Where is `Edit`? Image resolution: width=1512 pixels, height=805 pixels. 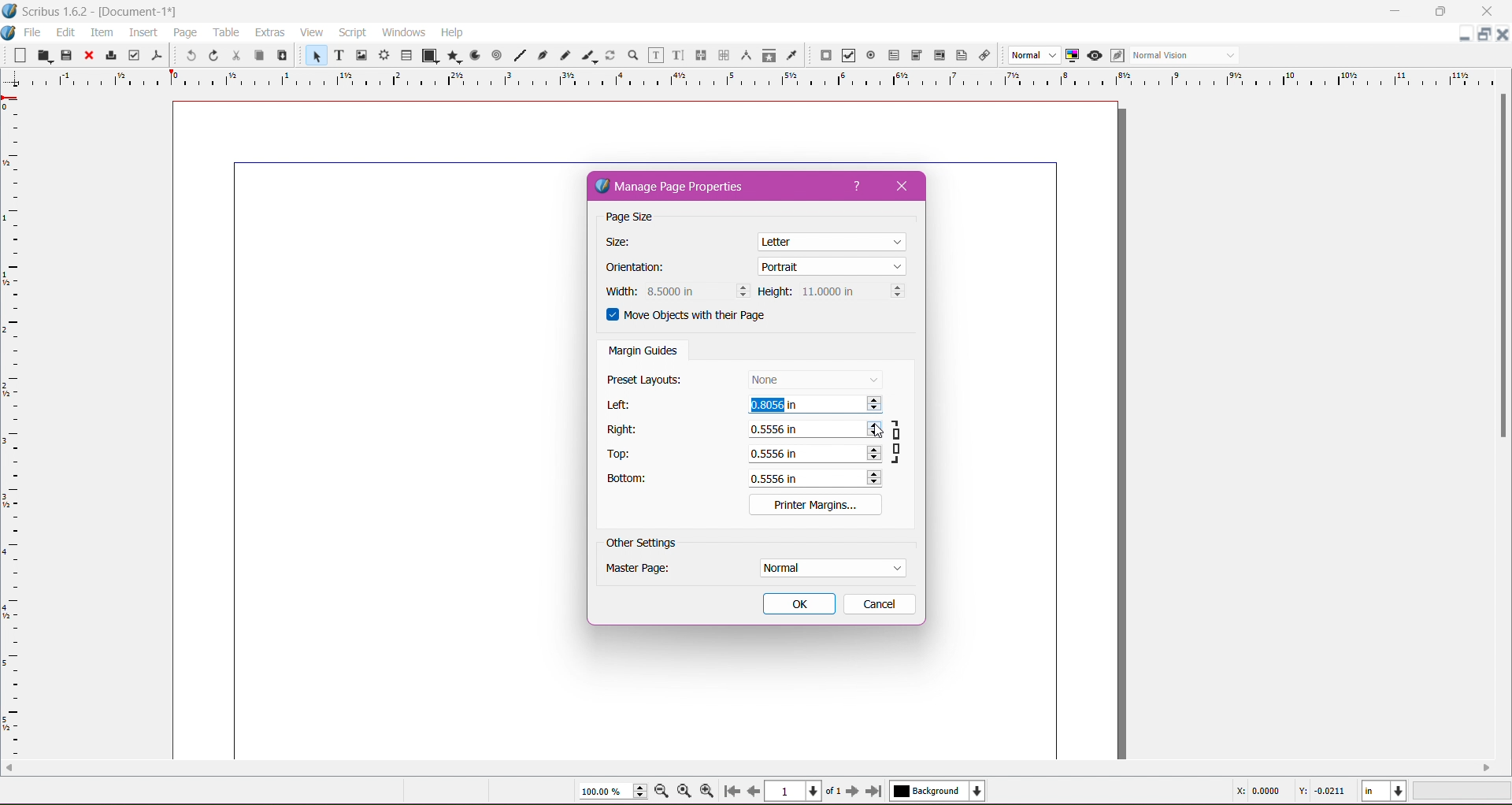 Edit is located at coordinates (65, 32).